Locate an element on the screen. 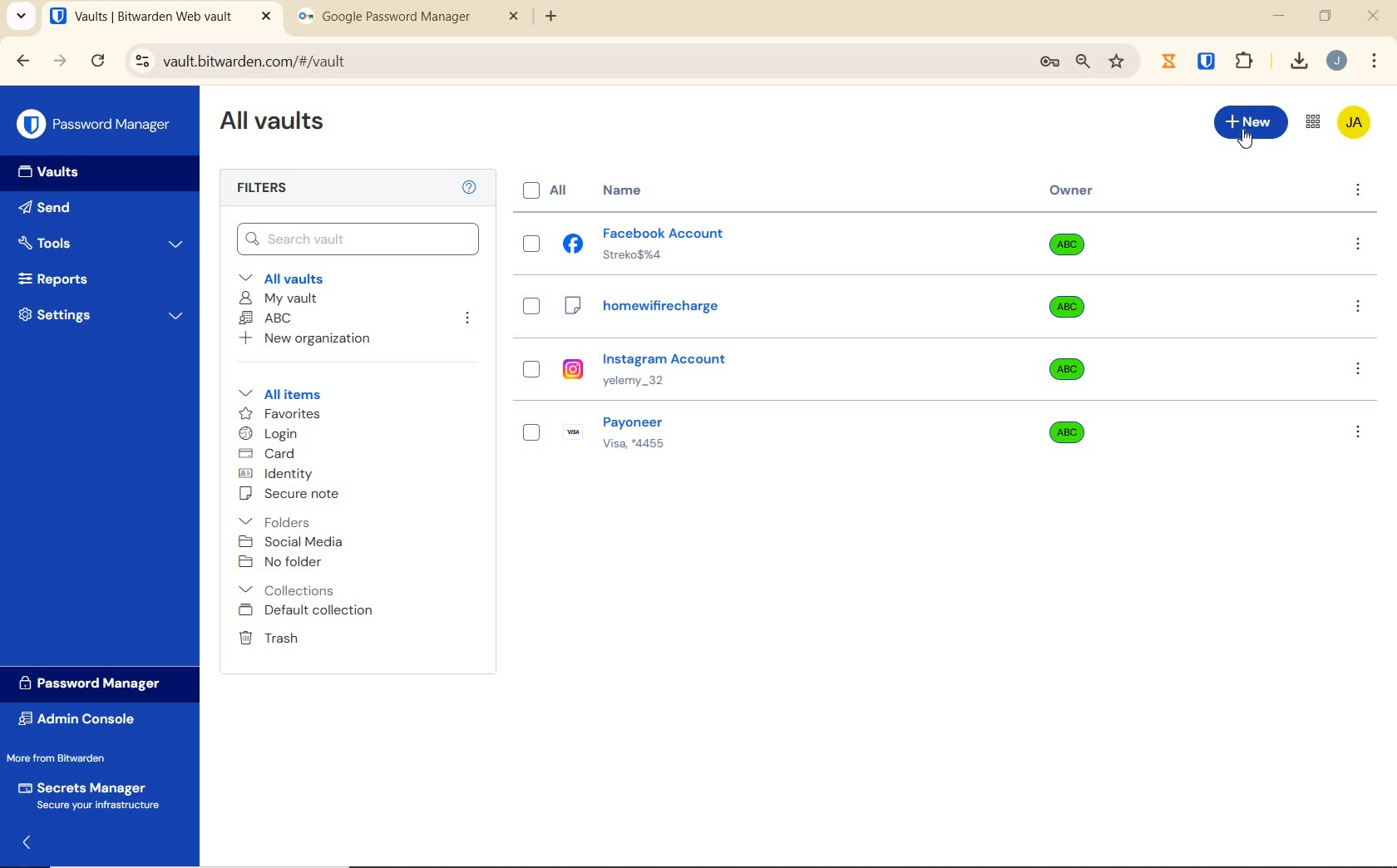 The width and height of the screenshot is (1397, 868). customize Google chrome is located at coordinates (1375, 62).